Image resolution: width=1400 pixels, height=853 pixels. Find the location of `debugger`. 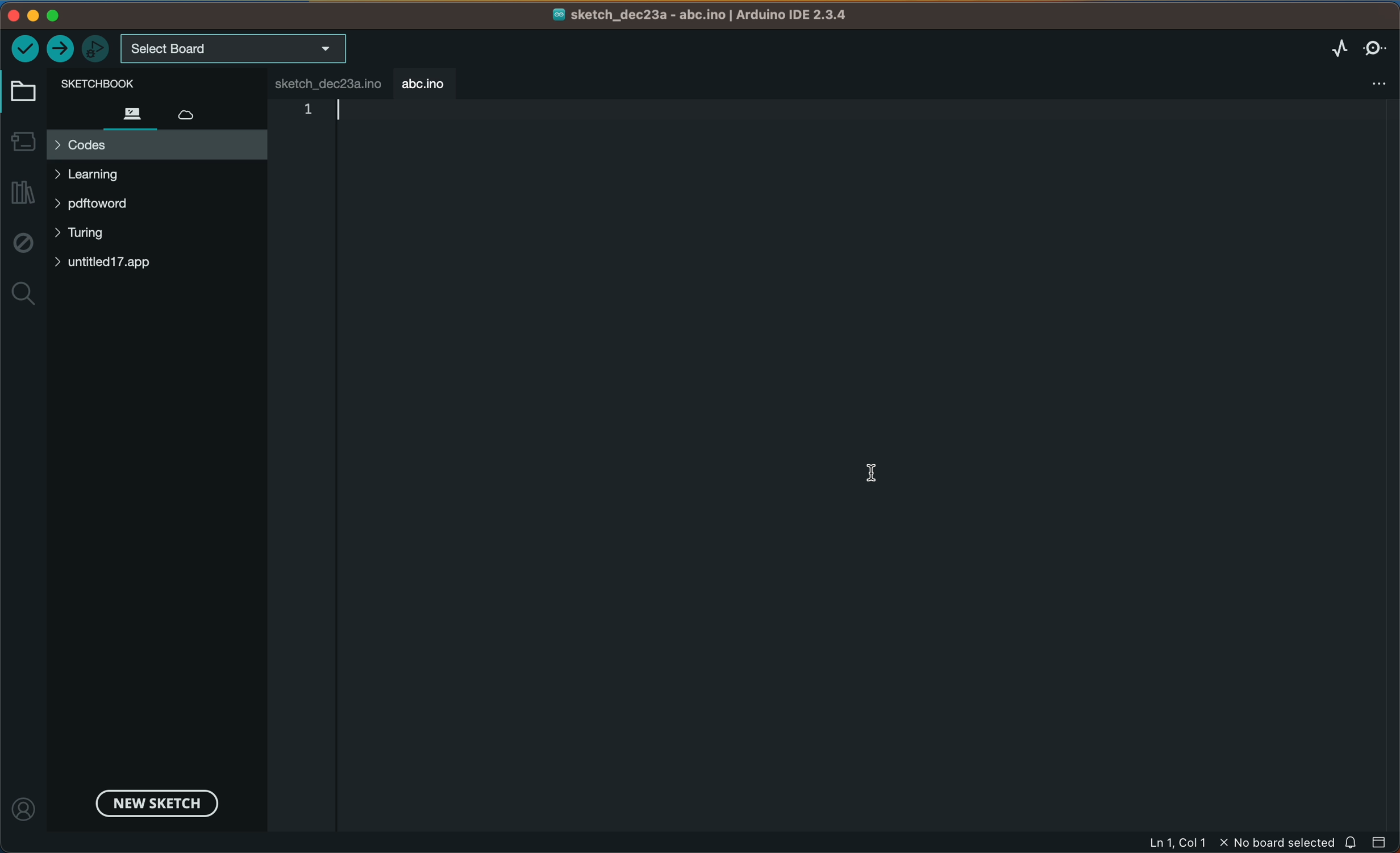

debugger is located at coordinates (97, 48).